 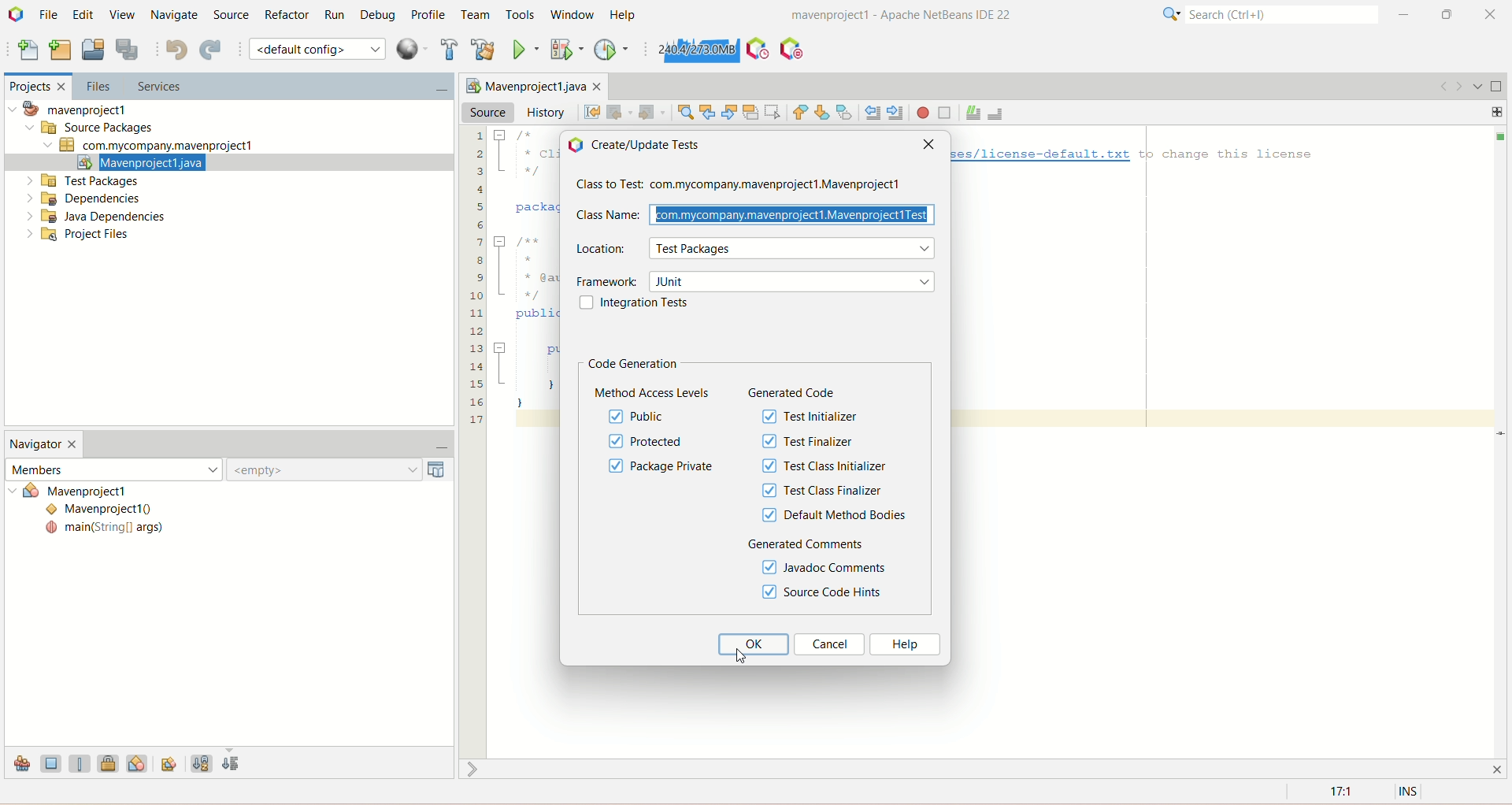 What do you see at coordinates (105, 529) in the screenshot?
I see `main(String[] args)` at bounding box center [105, 529].